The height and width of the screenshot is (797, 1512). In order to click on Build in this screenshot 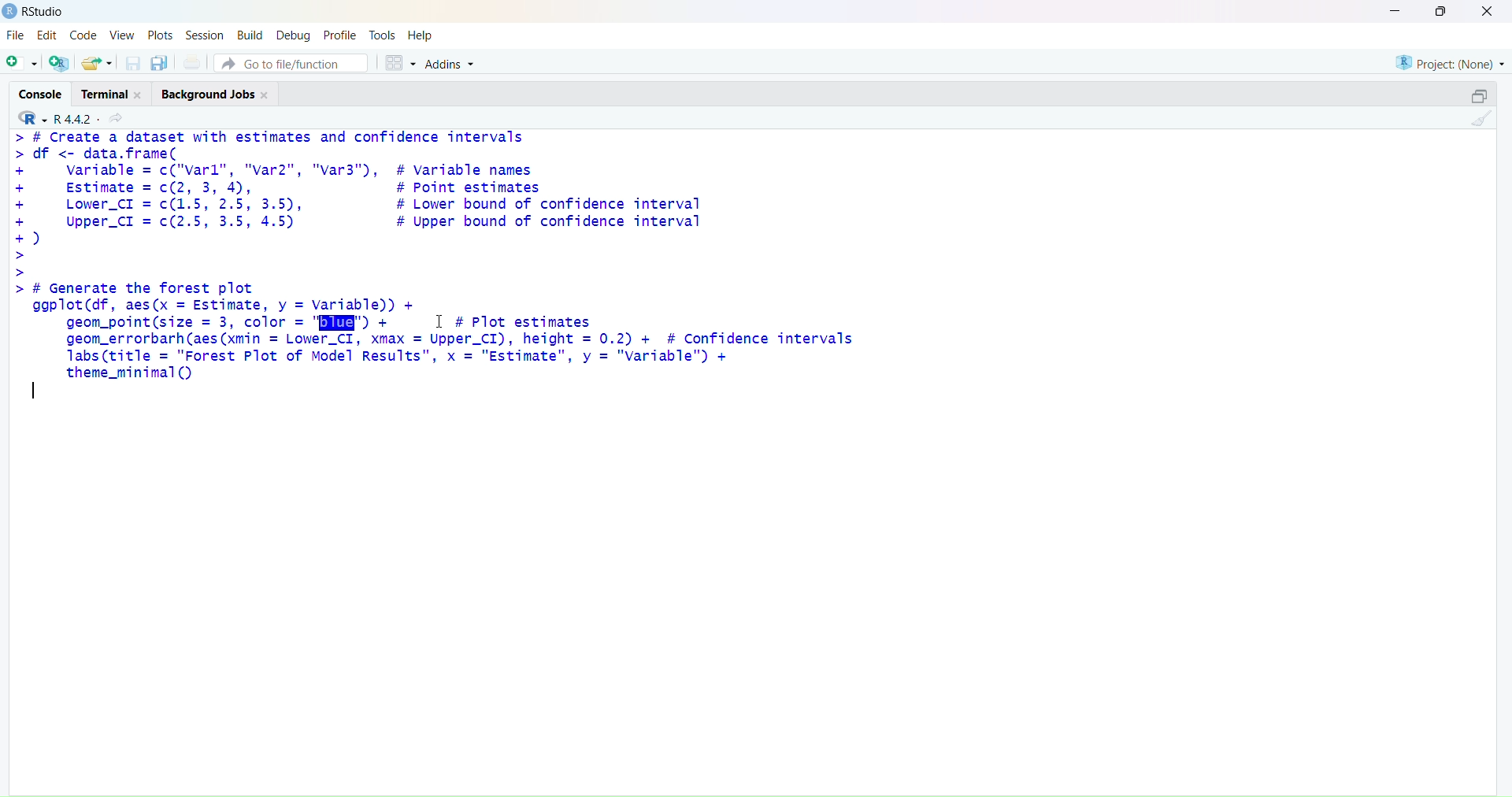, I will do `click(250, 35)`.